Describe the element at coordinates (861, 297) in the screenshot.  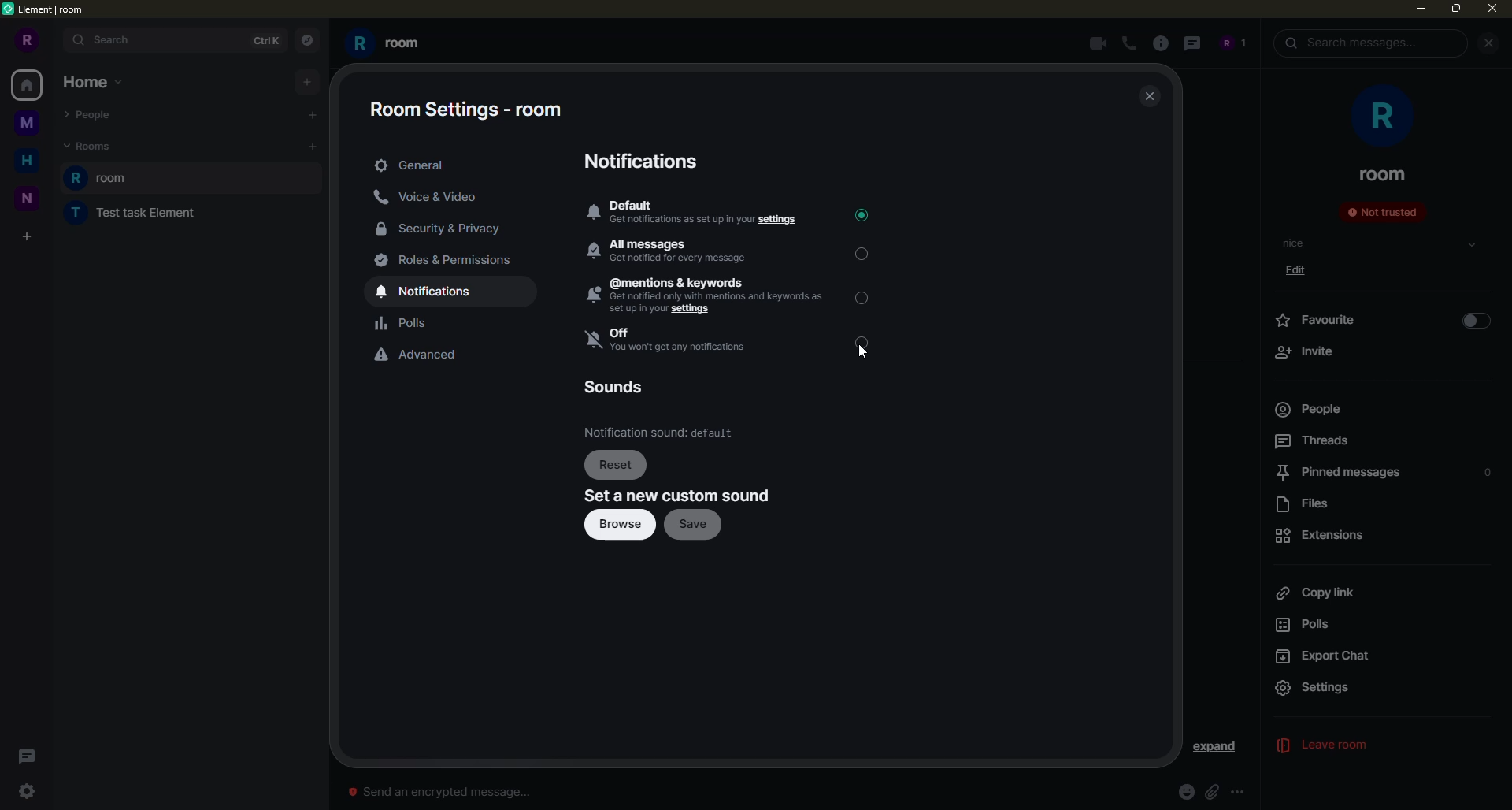
I see `click to select` at that location.